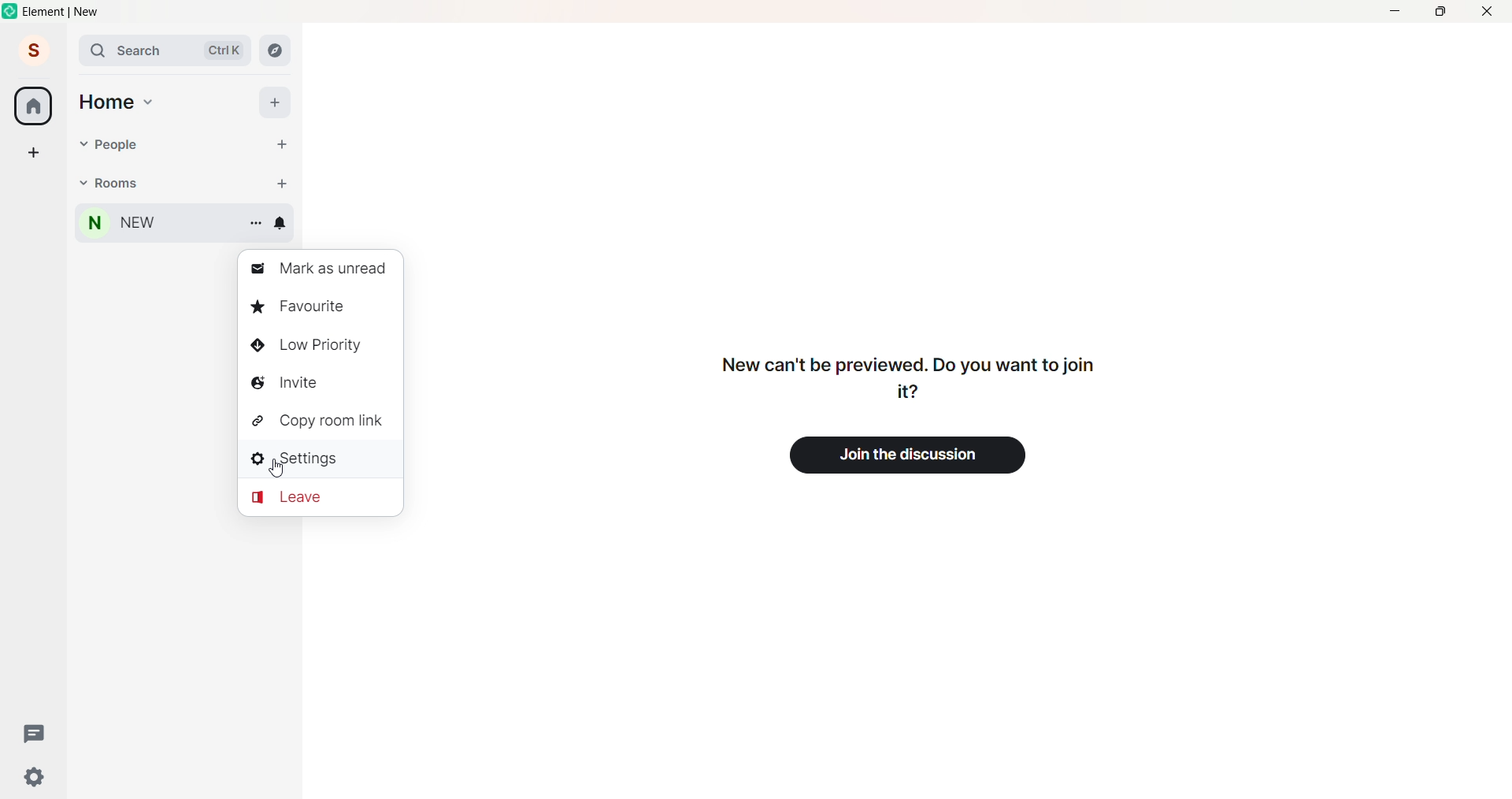 This screenshot has width=1512, height=799. Describe the element at coordinates (114, 226) in the screenshot. I see `room name` at that location.